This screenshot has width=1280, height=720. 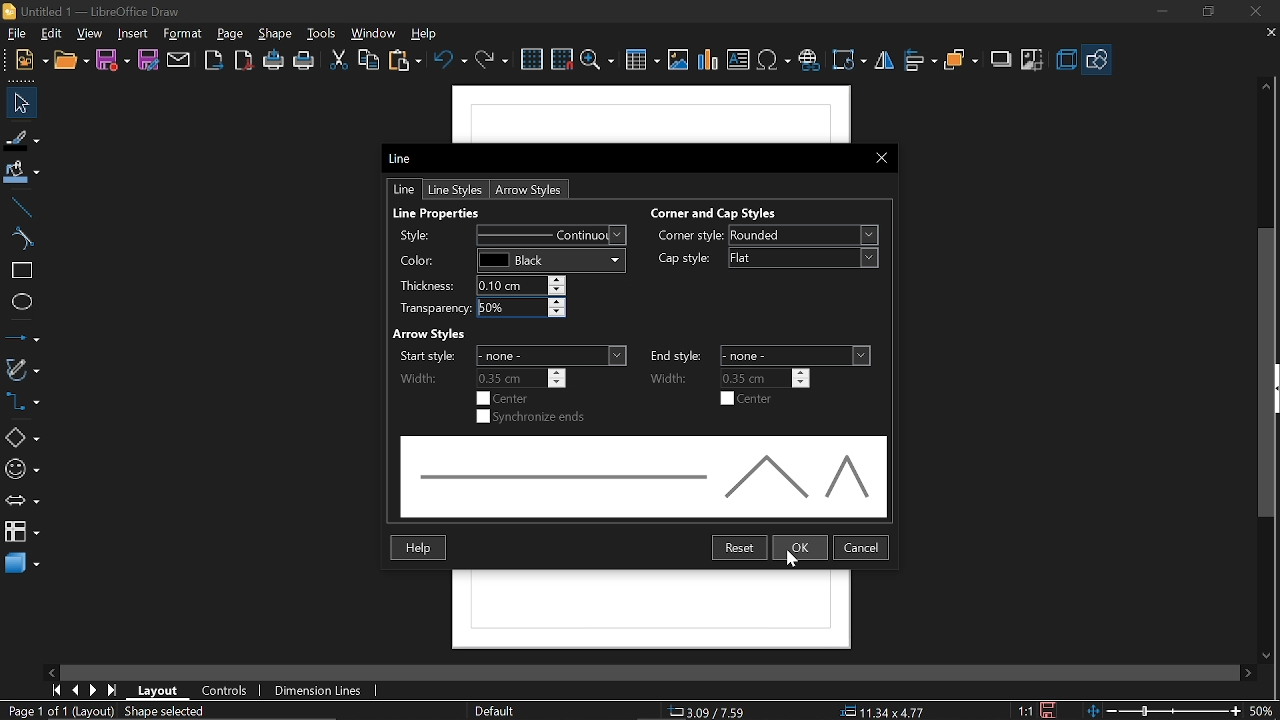 I want to click on view, so click(x=91, y=35).